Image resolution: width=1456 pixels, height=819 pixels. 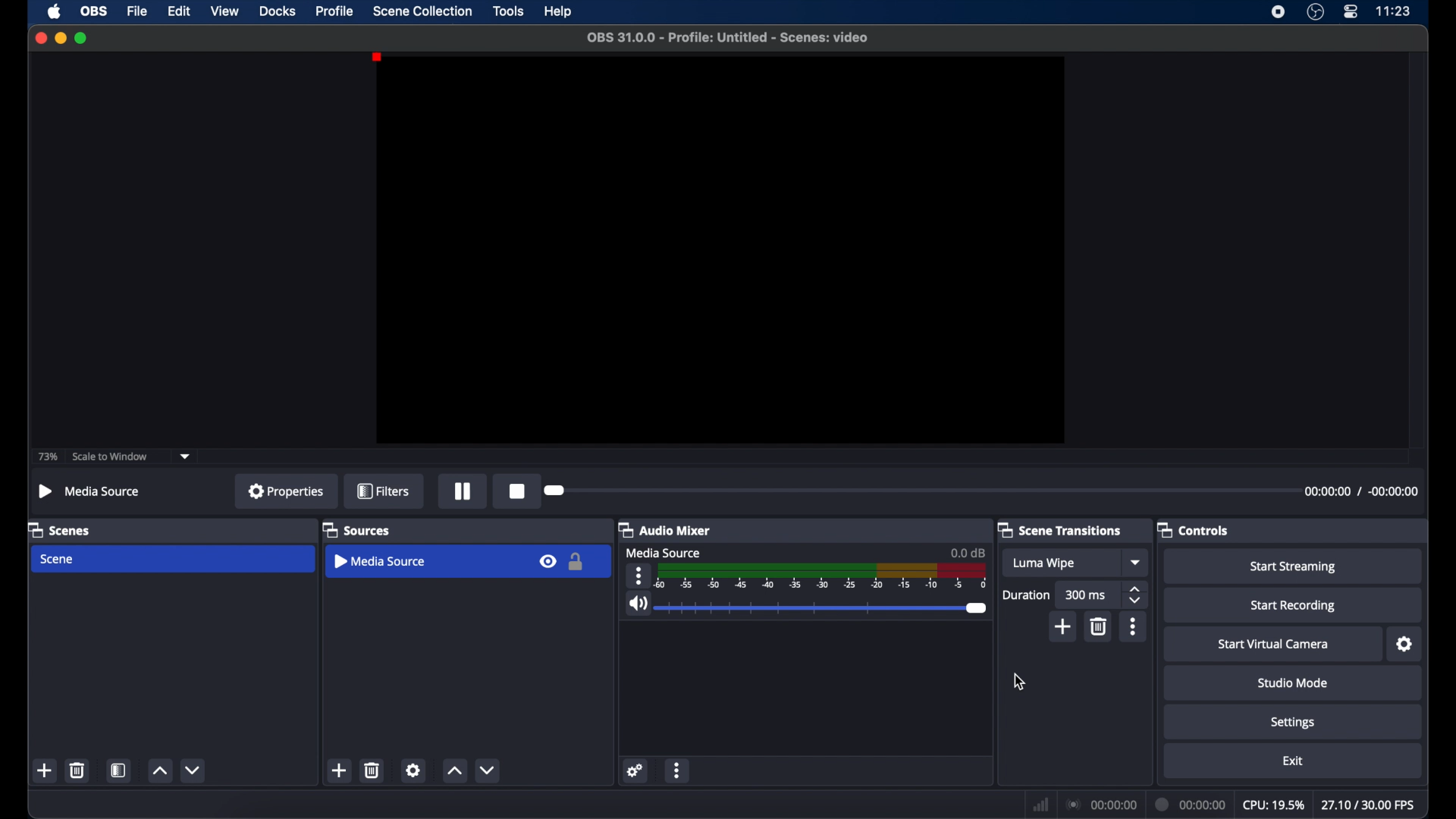 I want to click on settings, so click(x=1294, y=723).